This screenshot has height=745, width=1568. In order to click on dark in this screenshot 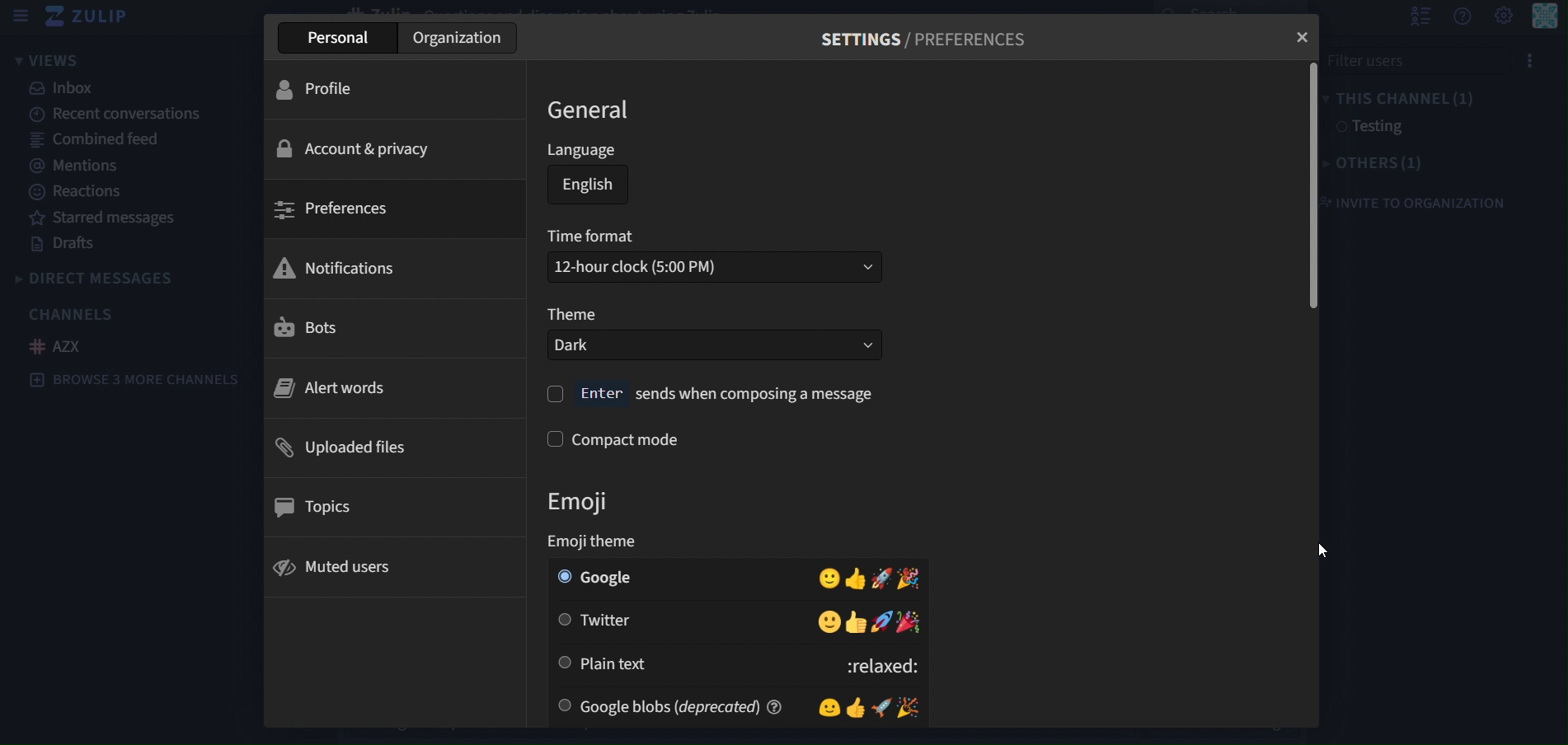, I will do `click(715, 344)`.